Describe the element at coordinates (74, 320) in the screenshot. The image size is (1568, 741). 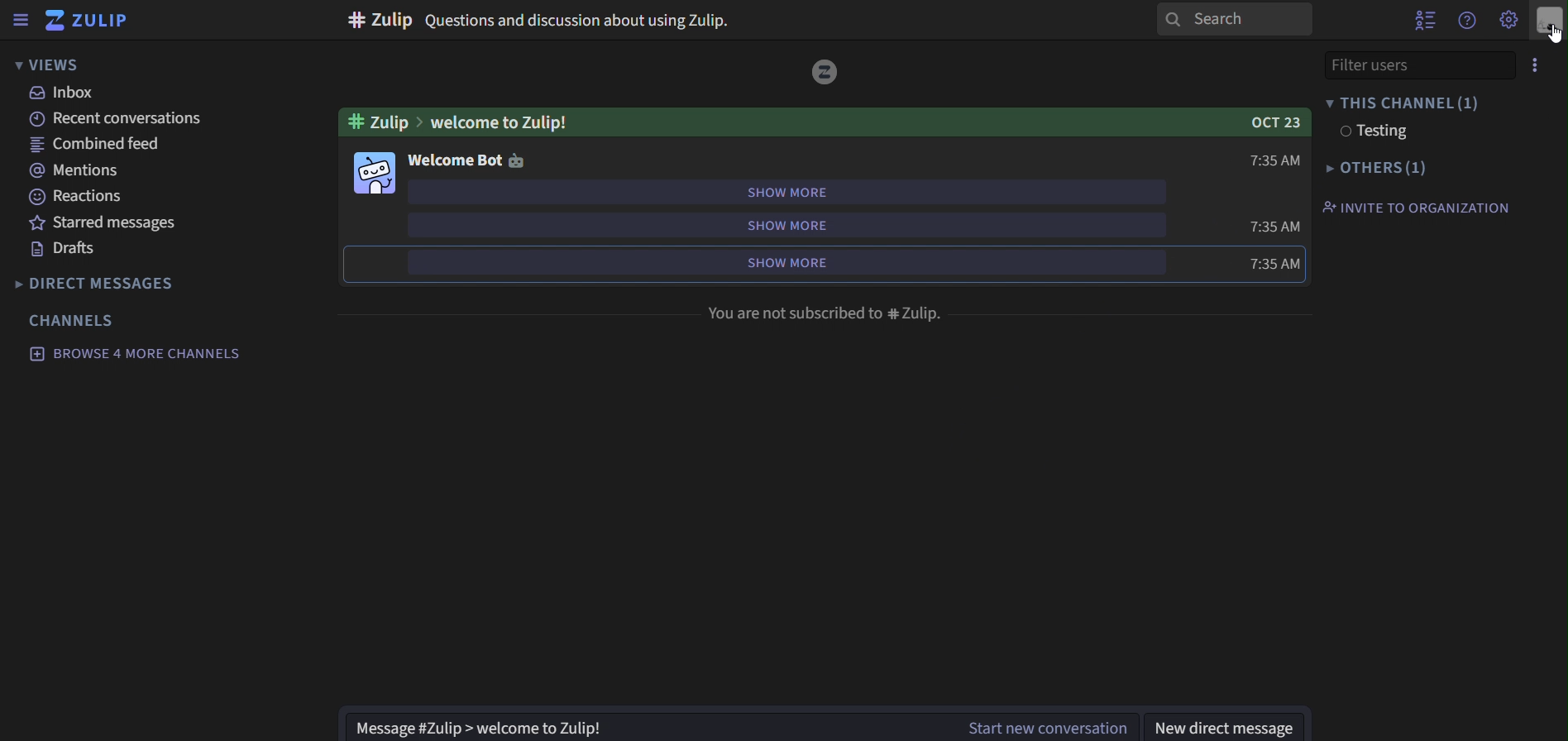
I see `channels` at that location.